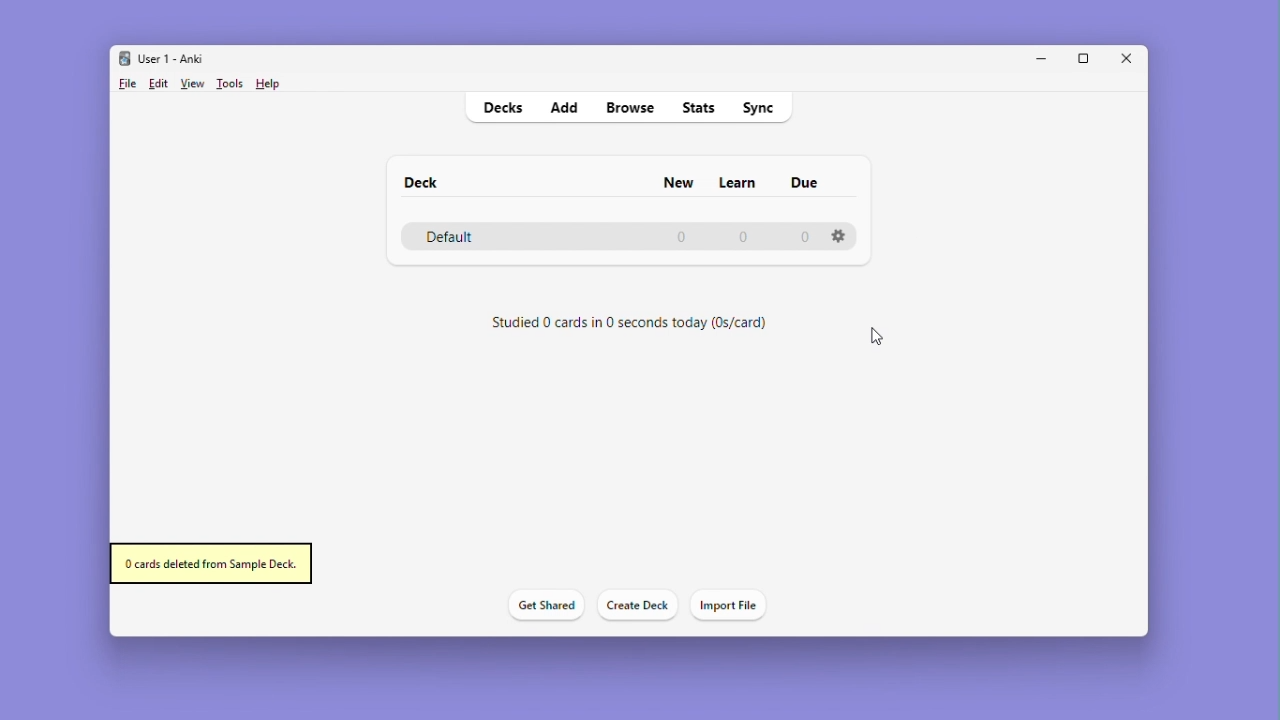 The height and width of the screenshot is (720, 1280). Describe the element at coordinates (741, 239) in the screenshot. I see `0` at that location.